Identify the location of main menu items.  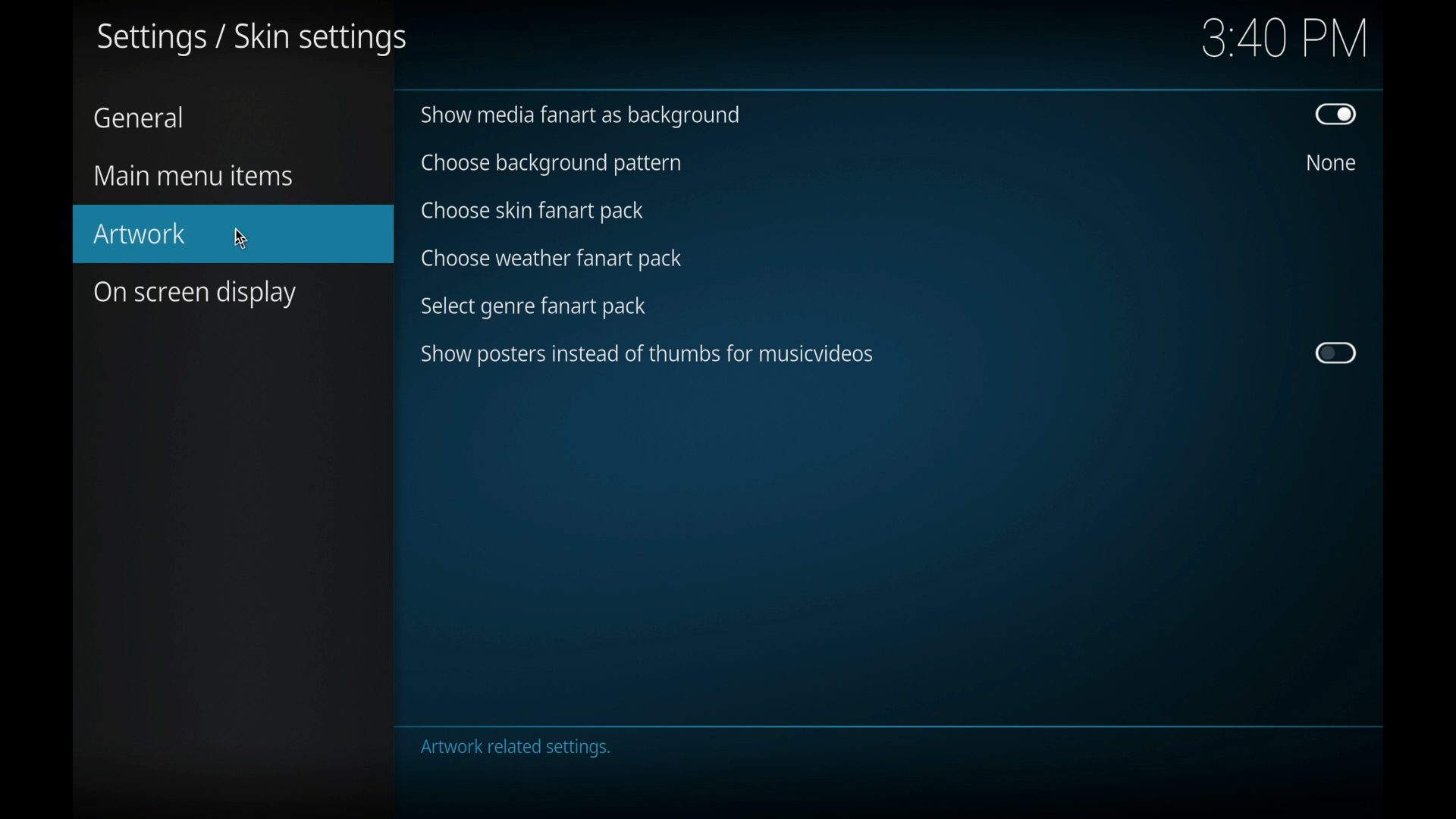
(193, 177).